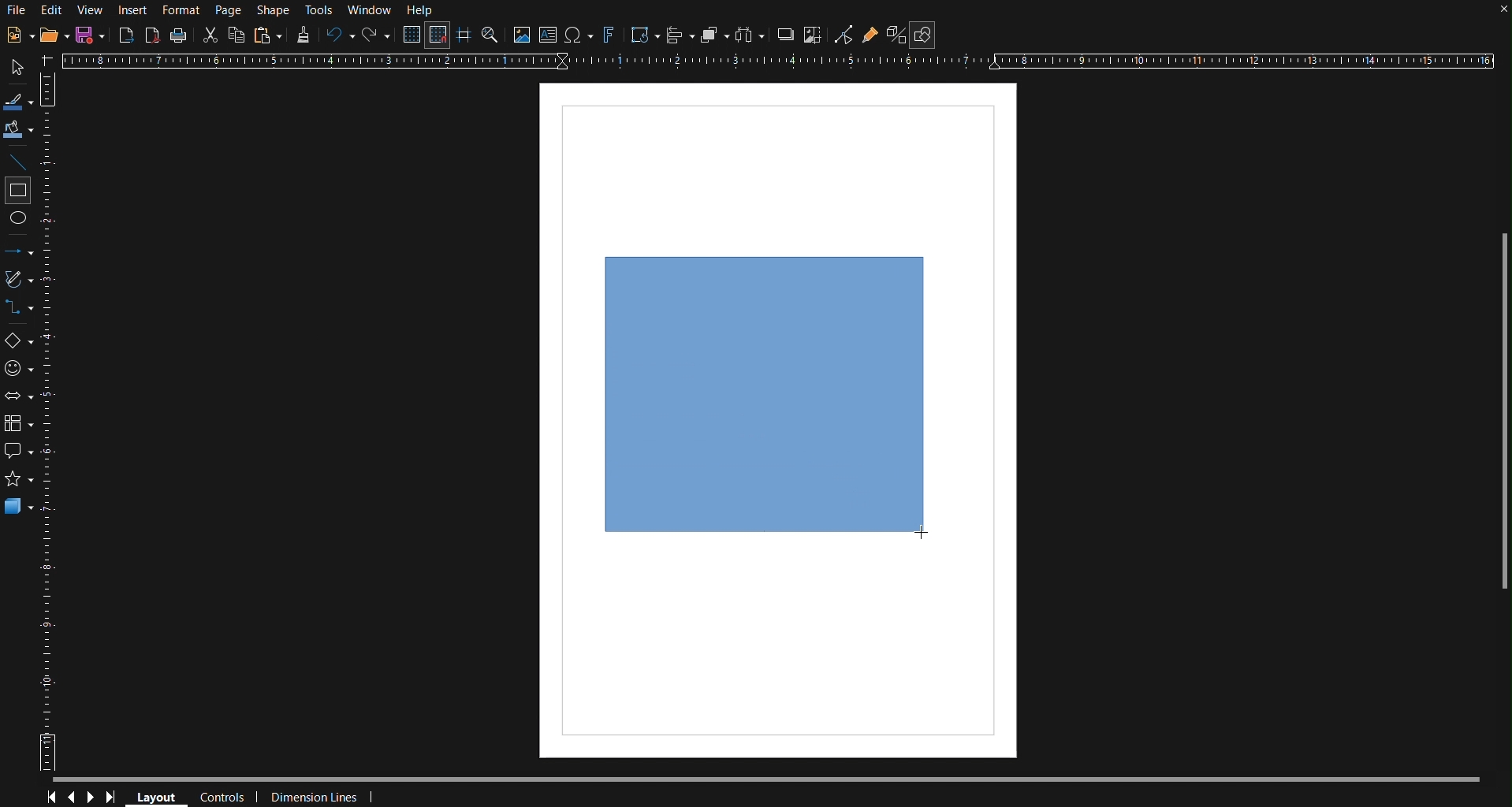  What do you see at coordinates (51, 11) in the screenshot?
I see `Edit` at bounding box center [51, 11].